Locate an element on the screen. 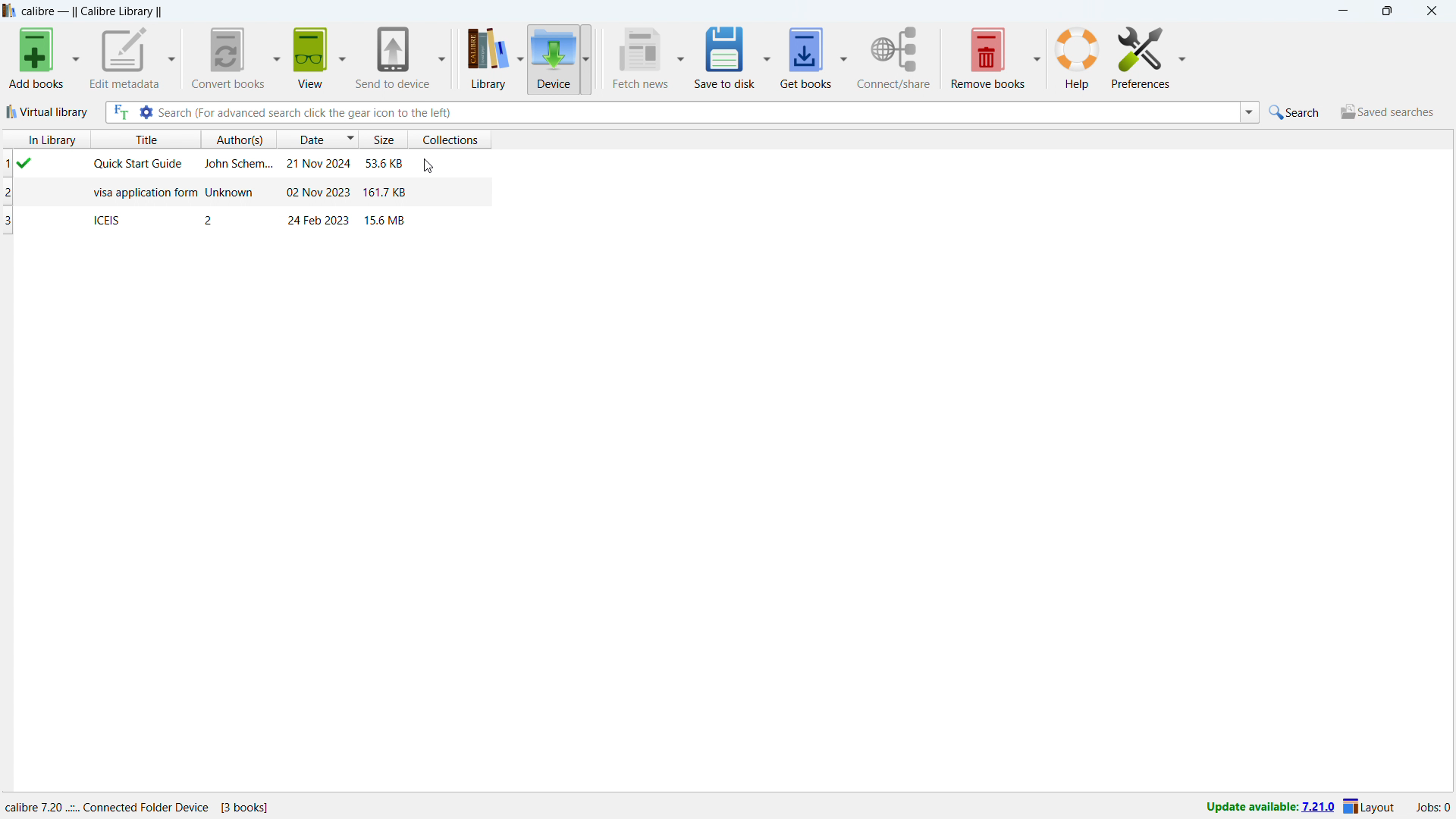  book on device is located at coordinates (290, 220).